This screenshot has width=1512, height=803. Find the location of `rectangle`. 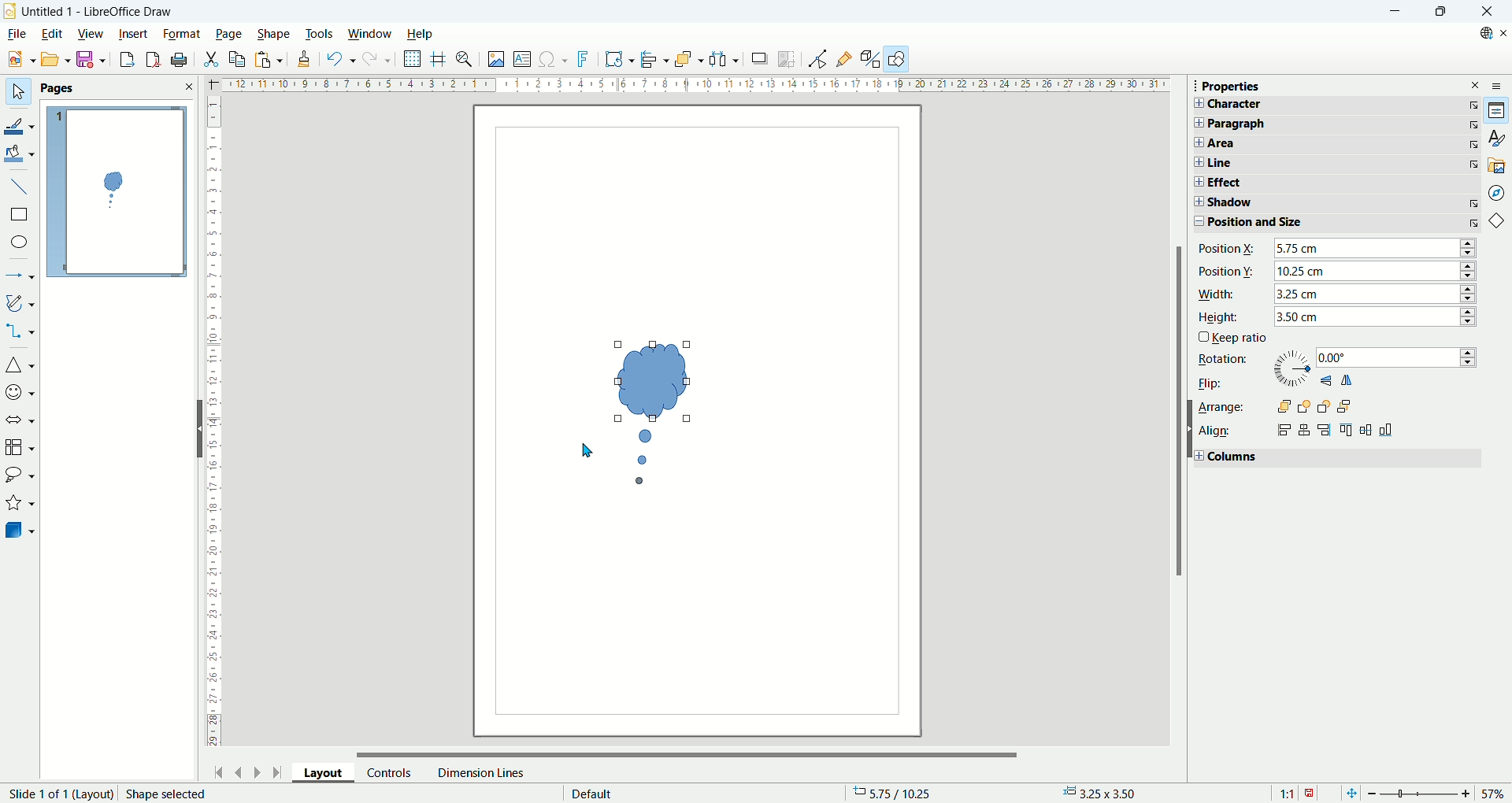

rectangle is located at coordinates (18, 215).